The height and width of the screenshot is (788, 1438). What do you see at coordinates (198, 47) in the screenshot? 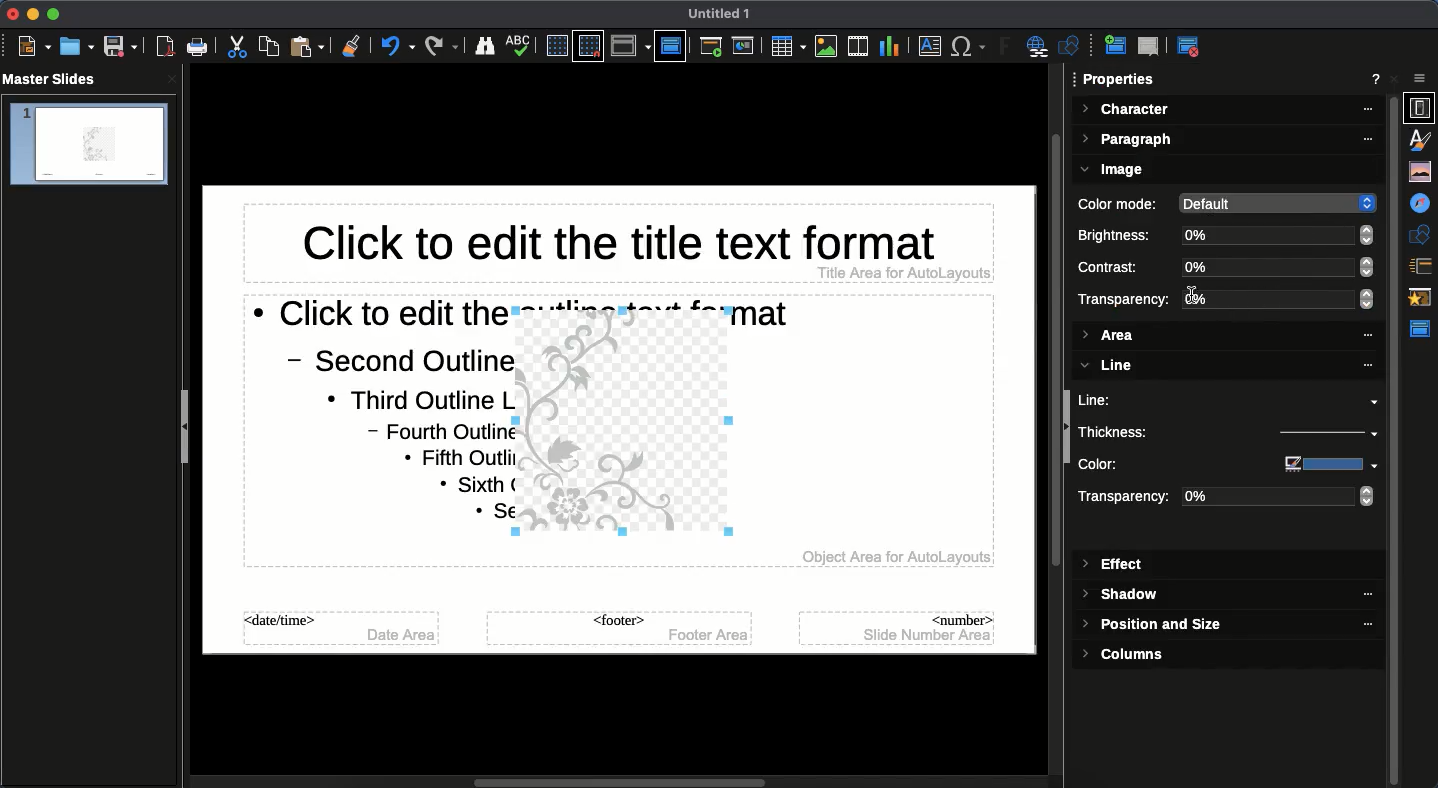
I see `Print` at bounding box center [198, 47].